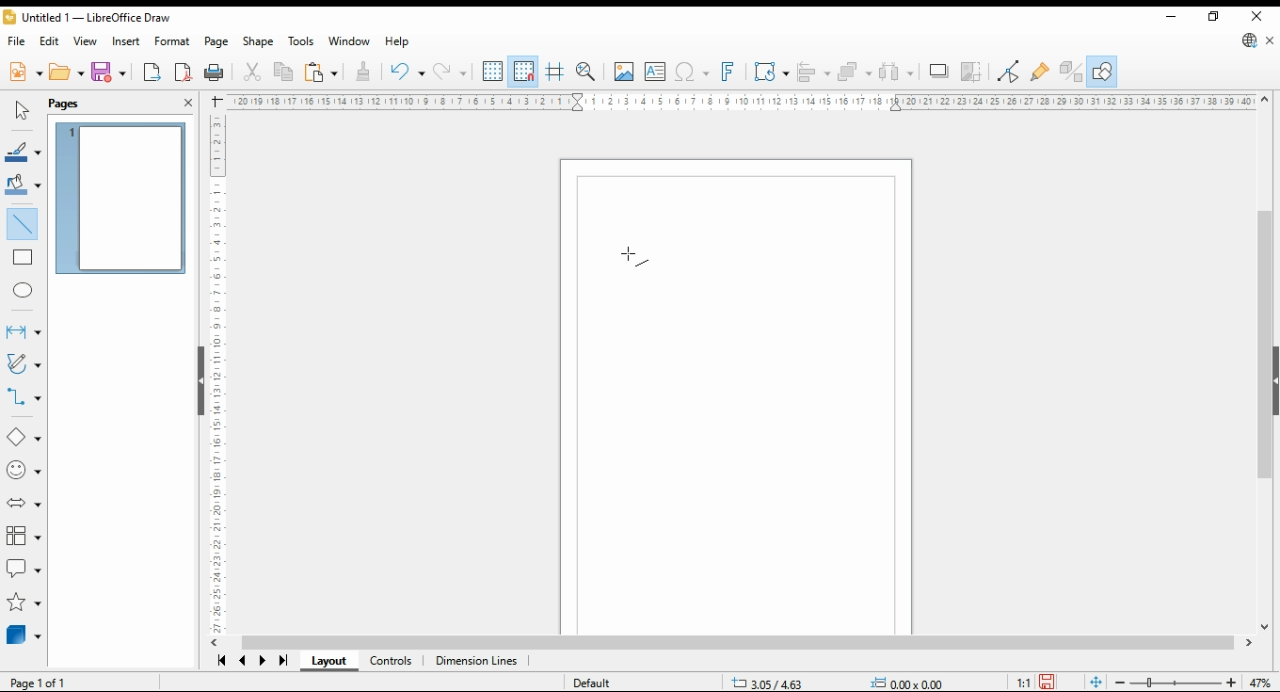  What do you see at coordinates (692, 72) in the screenshot?
I see `insert special characters` at bounding box center [692, 72].